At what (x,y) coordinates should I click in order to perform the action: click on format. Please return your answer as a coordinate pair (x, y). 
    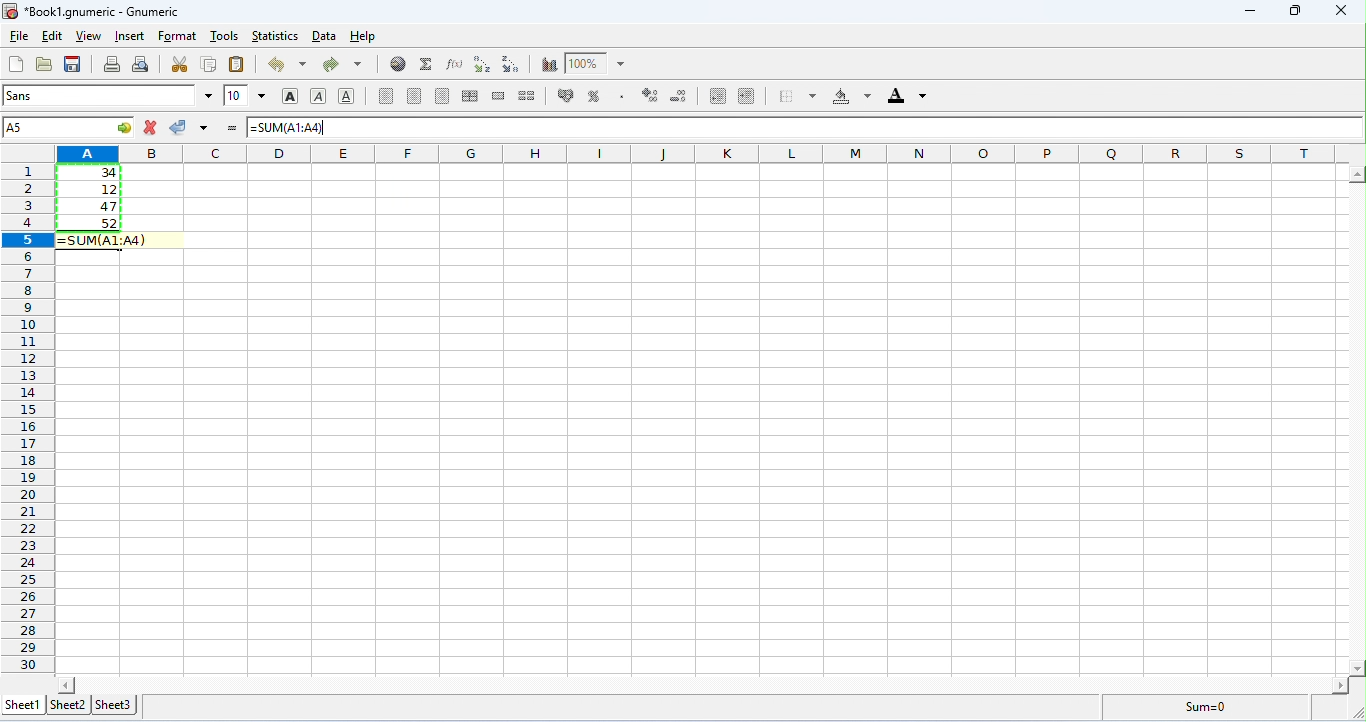
    Looking at the image, I should click on (177, 37).